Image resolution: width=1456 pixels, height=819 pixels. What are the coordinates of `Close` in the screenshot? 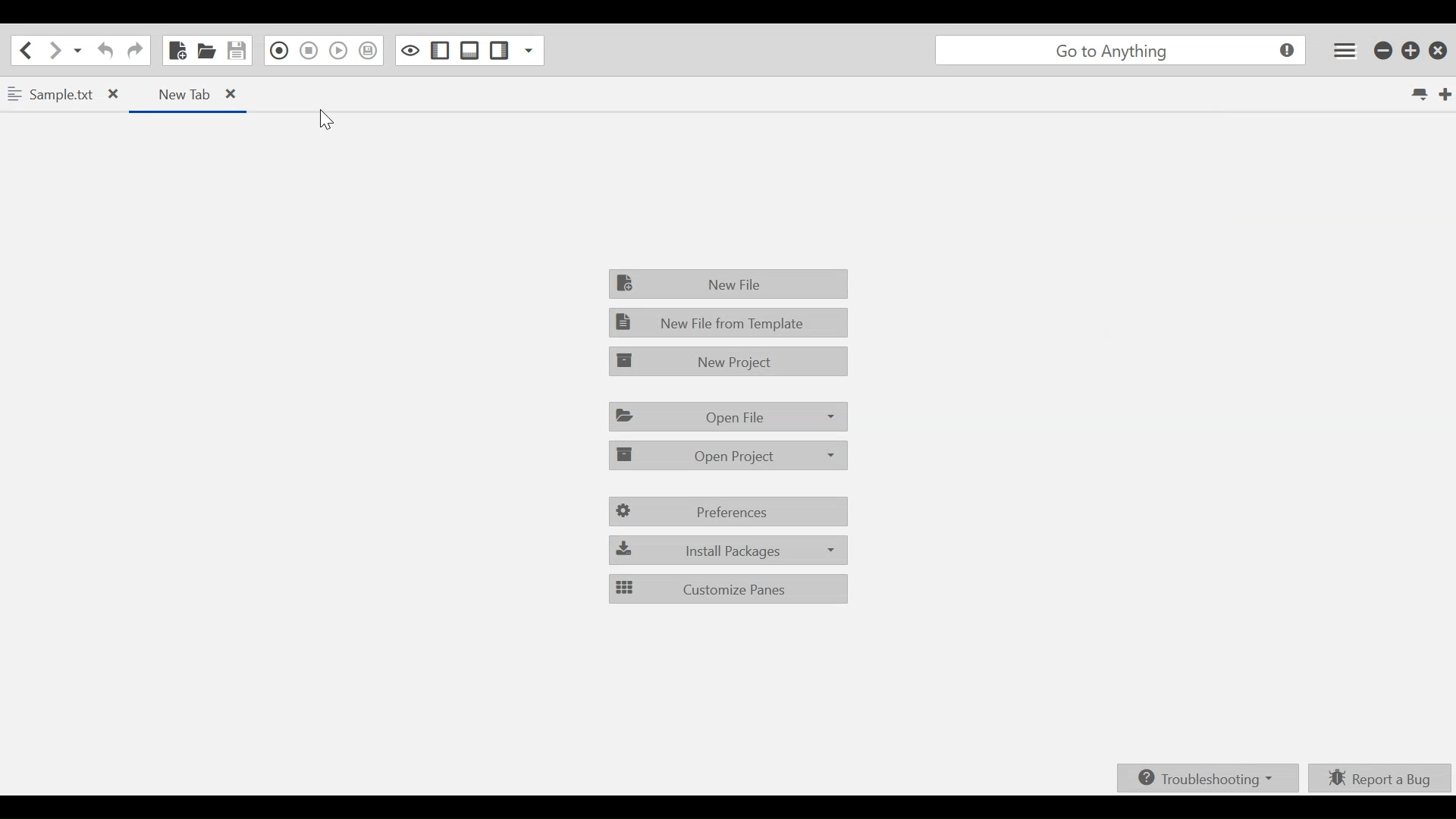 It's located at (111, 94).